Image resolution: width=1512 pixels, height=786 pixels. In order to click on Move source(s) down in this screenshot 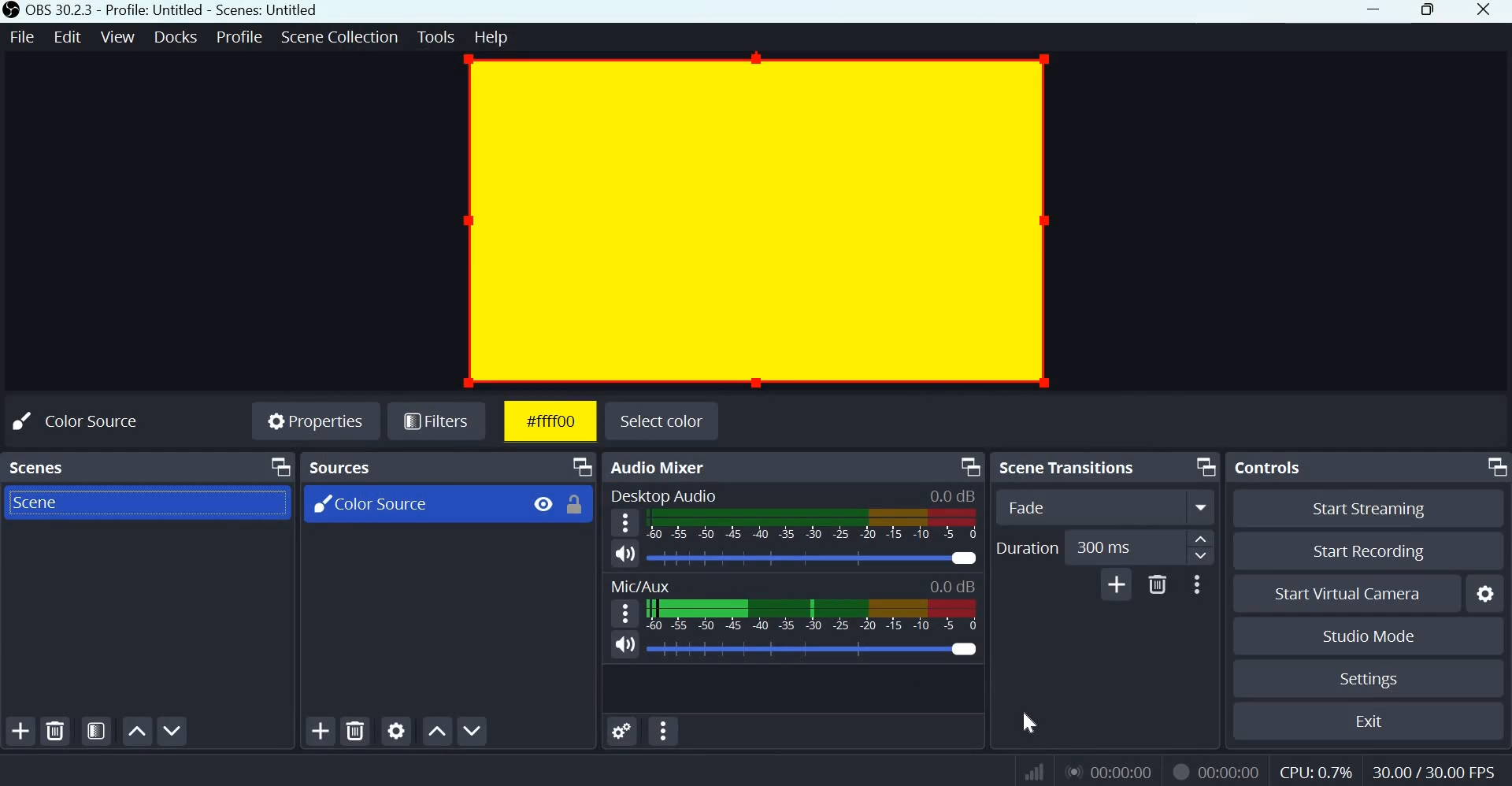, I will do `click(474, 729)`.